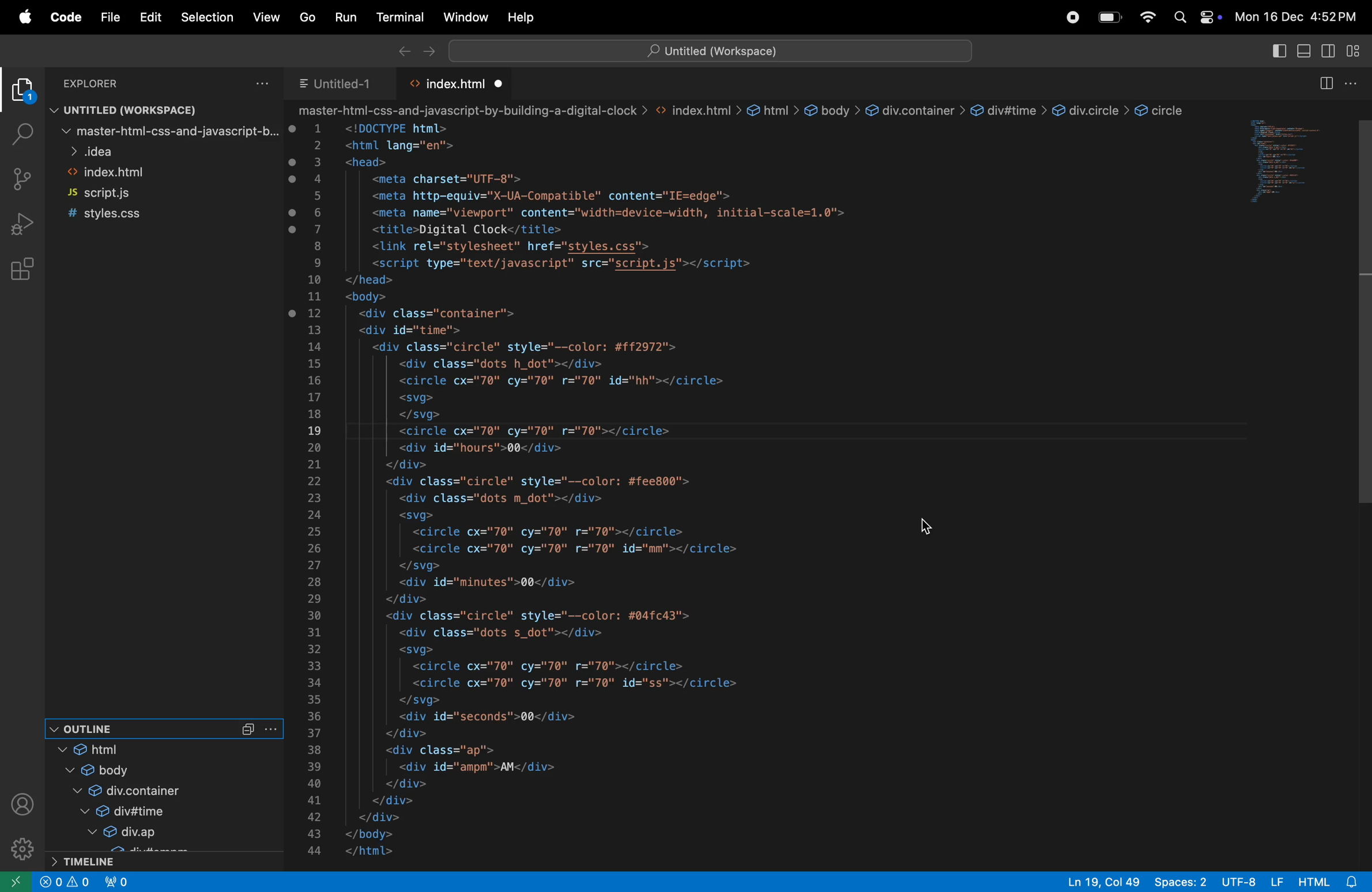  I want to click on wifi, so click(1152, 17).